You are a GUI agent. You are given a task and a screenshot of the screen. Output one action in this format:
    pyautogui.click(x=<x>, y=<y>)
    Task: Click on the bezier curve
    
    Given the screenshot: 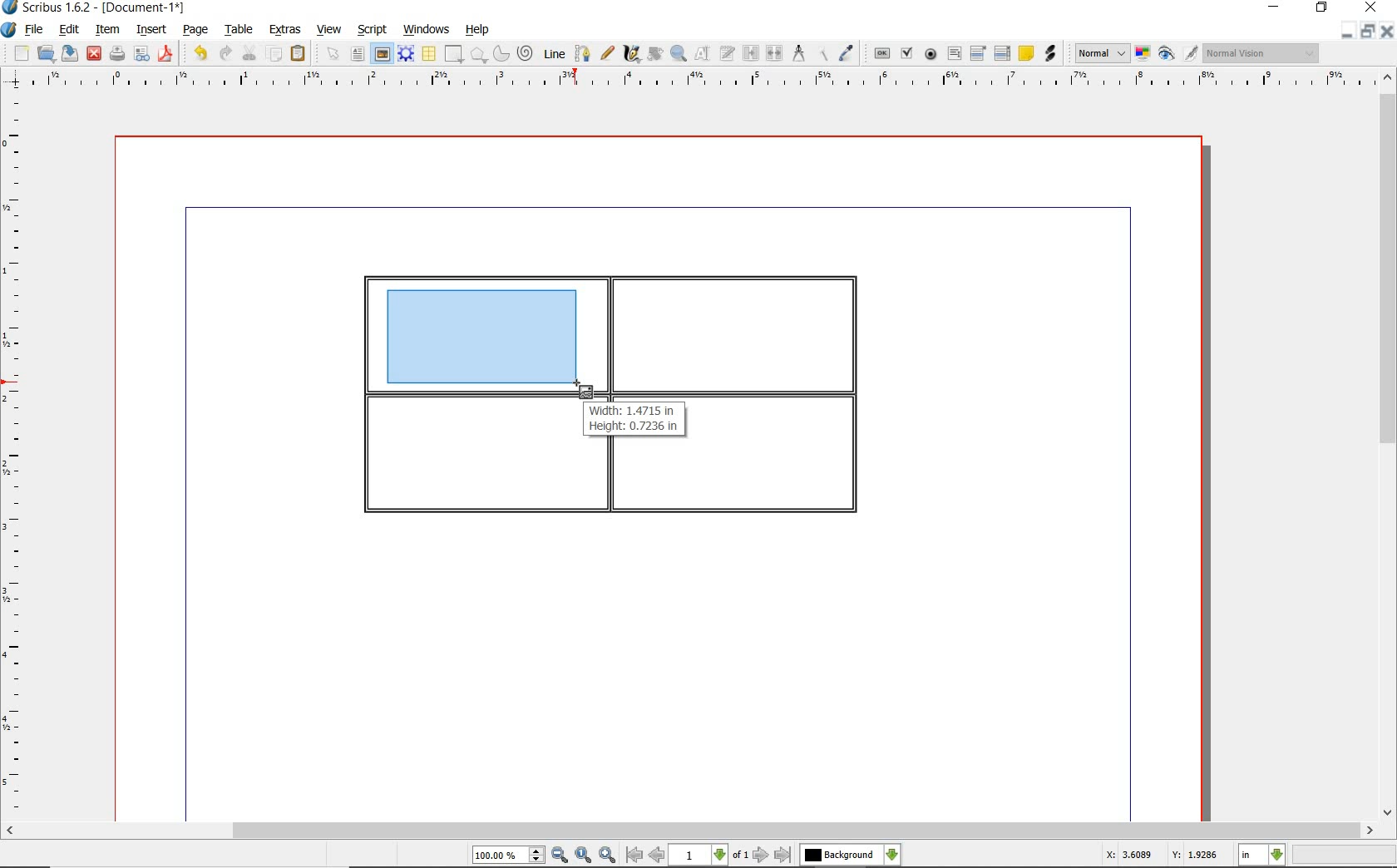 What is the action you would take?
    pyautogui.click(x=582, y=53)
    